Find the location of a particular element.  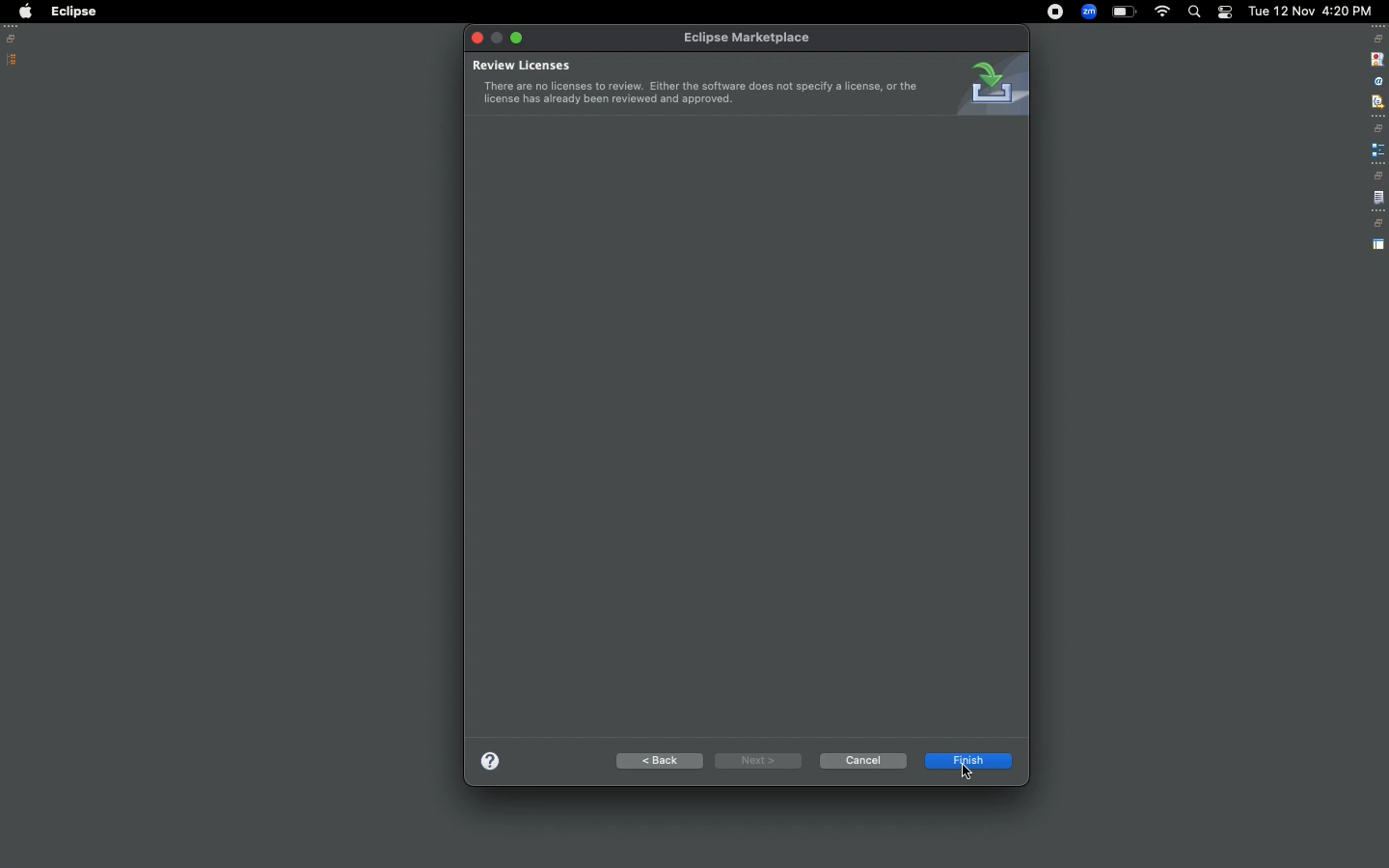

perspective is located at coordinates (1378, 245).